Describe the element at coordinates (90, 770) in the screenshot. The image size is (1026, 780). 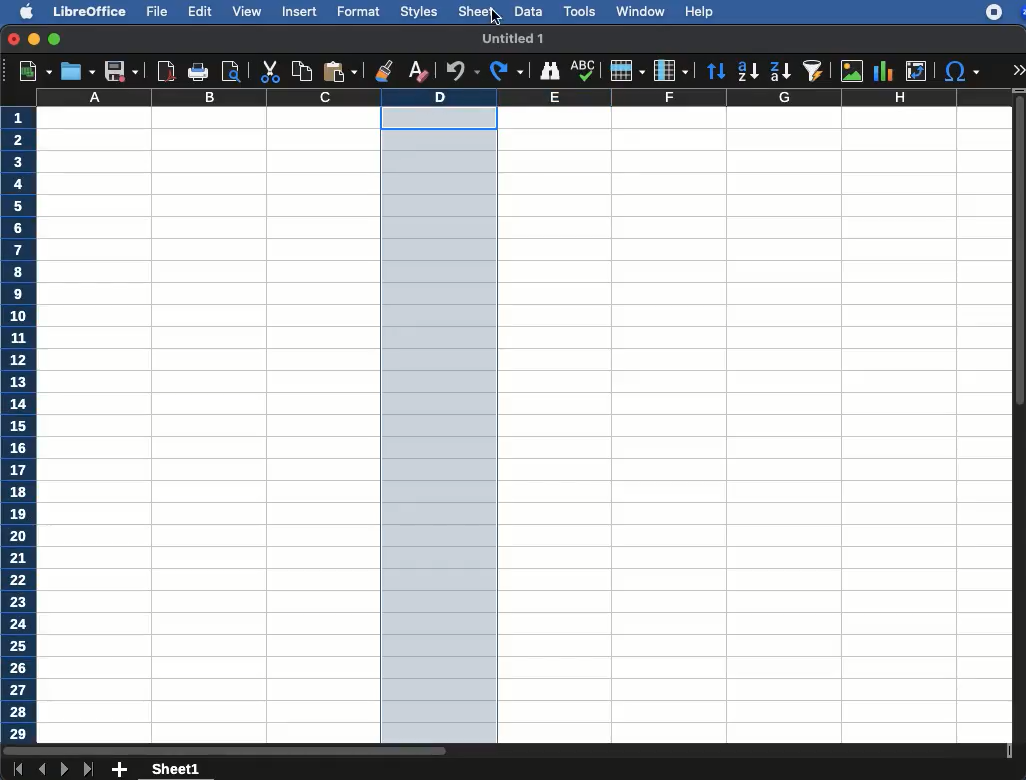
I see `last sheet` at that location.